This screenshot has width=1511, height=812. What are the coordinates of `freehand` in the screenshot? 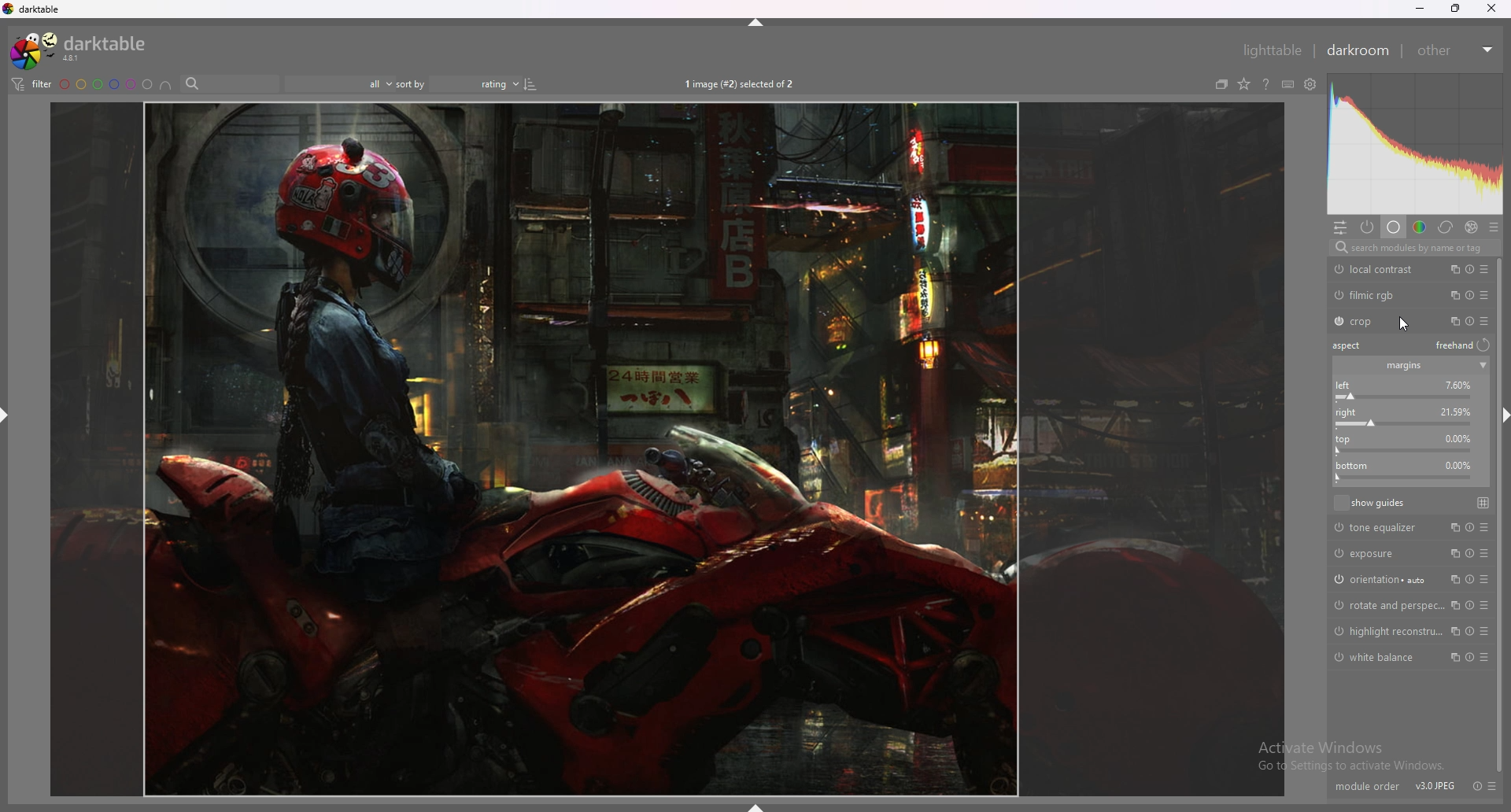 It's located at (1465, 346).